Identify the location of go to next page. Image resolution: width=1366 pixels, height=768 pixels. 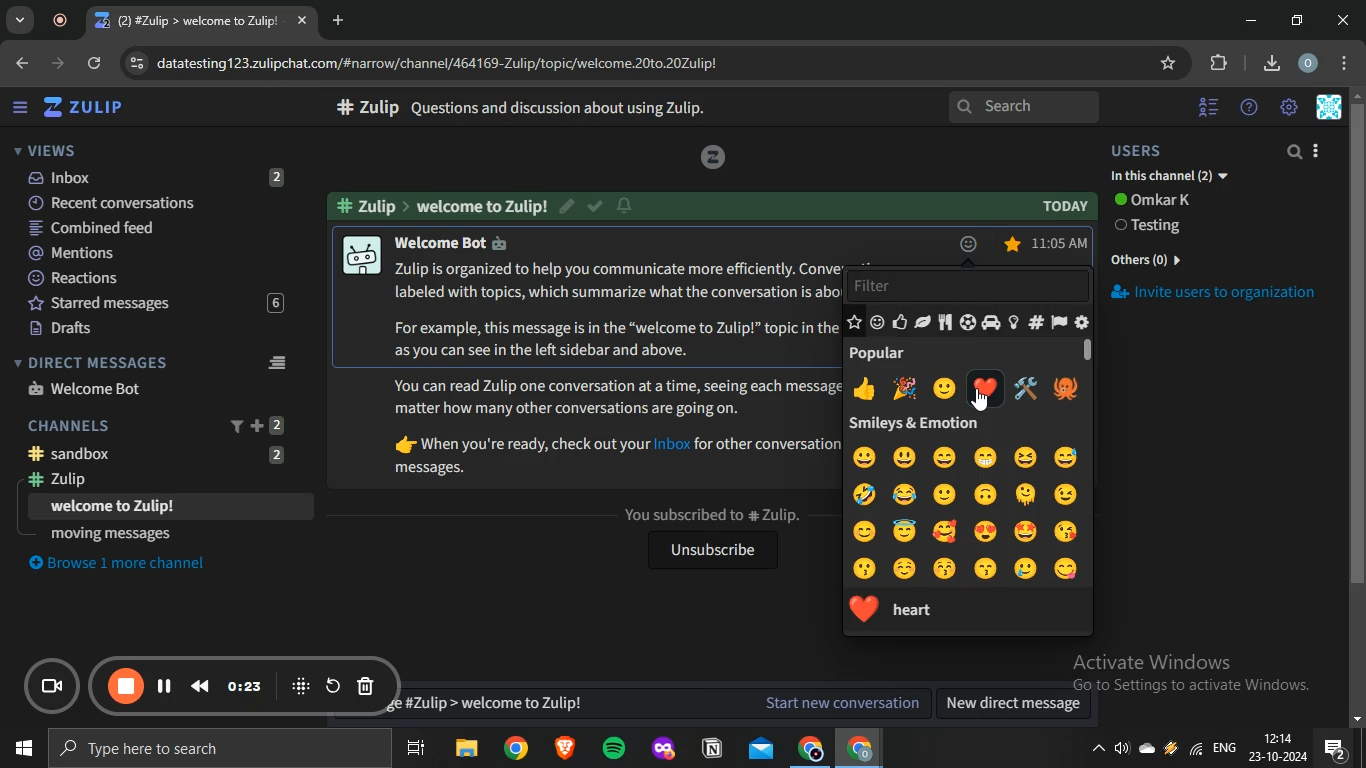
(60, 63).